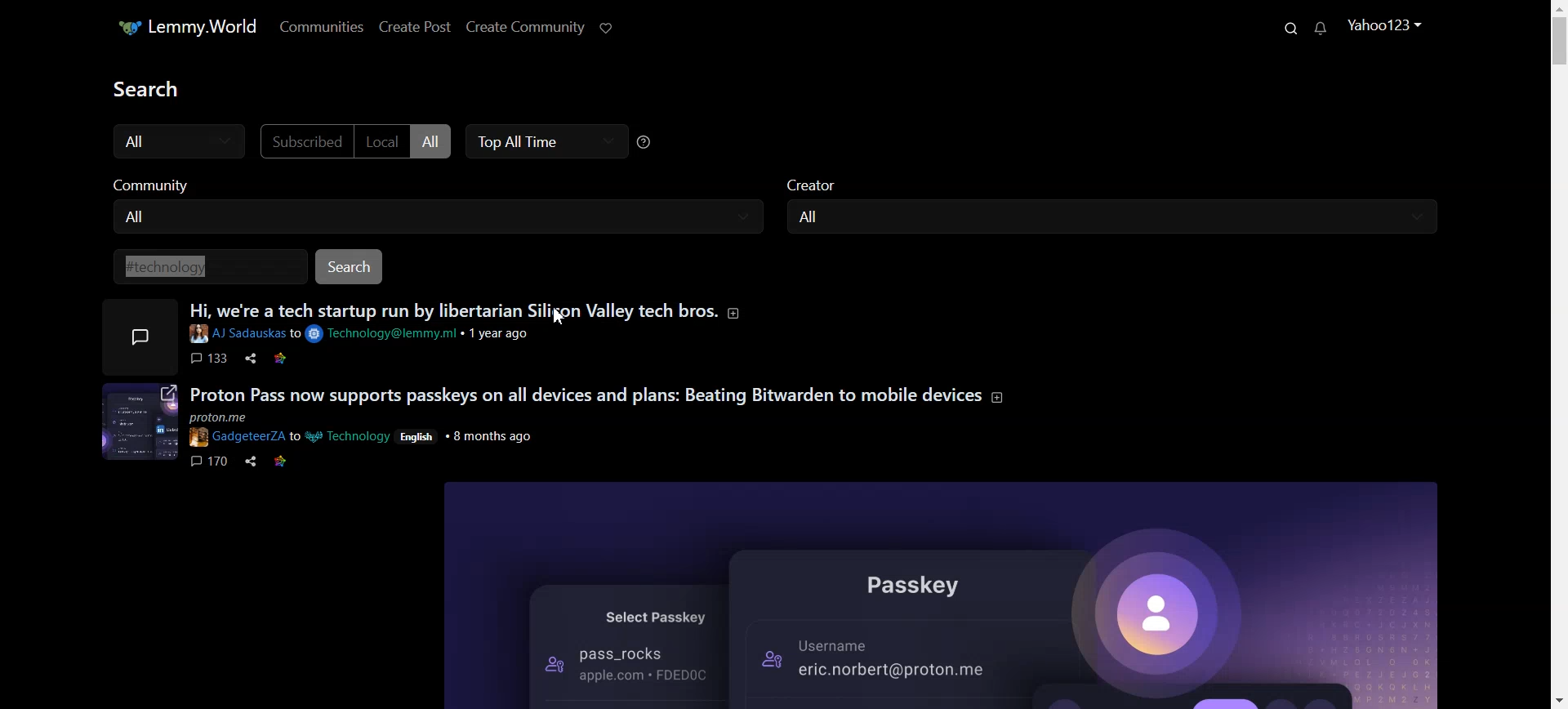 The width and height of the screenshot is (1568, 709). Describe the element at coordinates (237, 336) in the screenshot. I see `aj sadauskas` at that location.